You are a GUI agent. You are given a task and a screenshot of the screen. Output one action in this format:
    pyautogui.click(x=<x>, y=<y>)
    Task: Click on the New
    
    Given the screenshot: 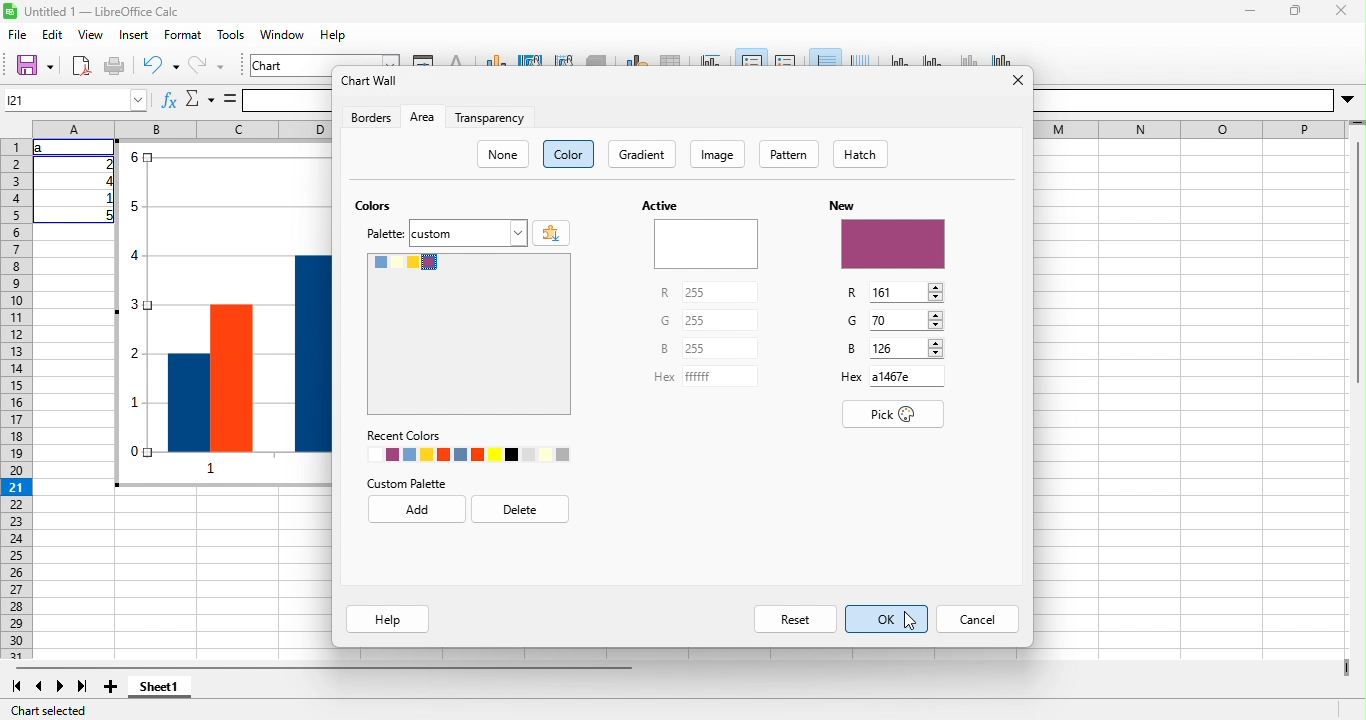 What is the action you would take?
    pyautogui.click(x=842, y=206)
    